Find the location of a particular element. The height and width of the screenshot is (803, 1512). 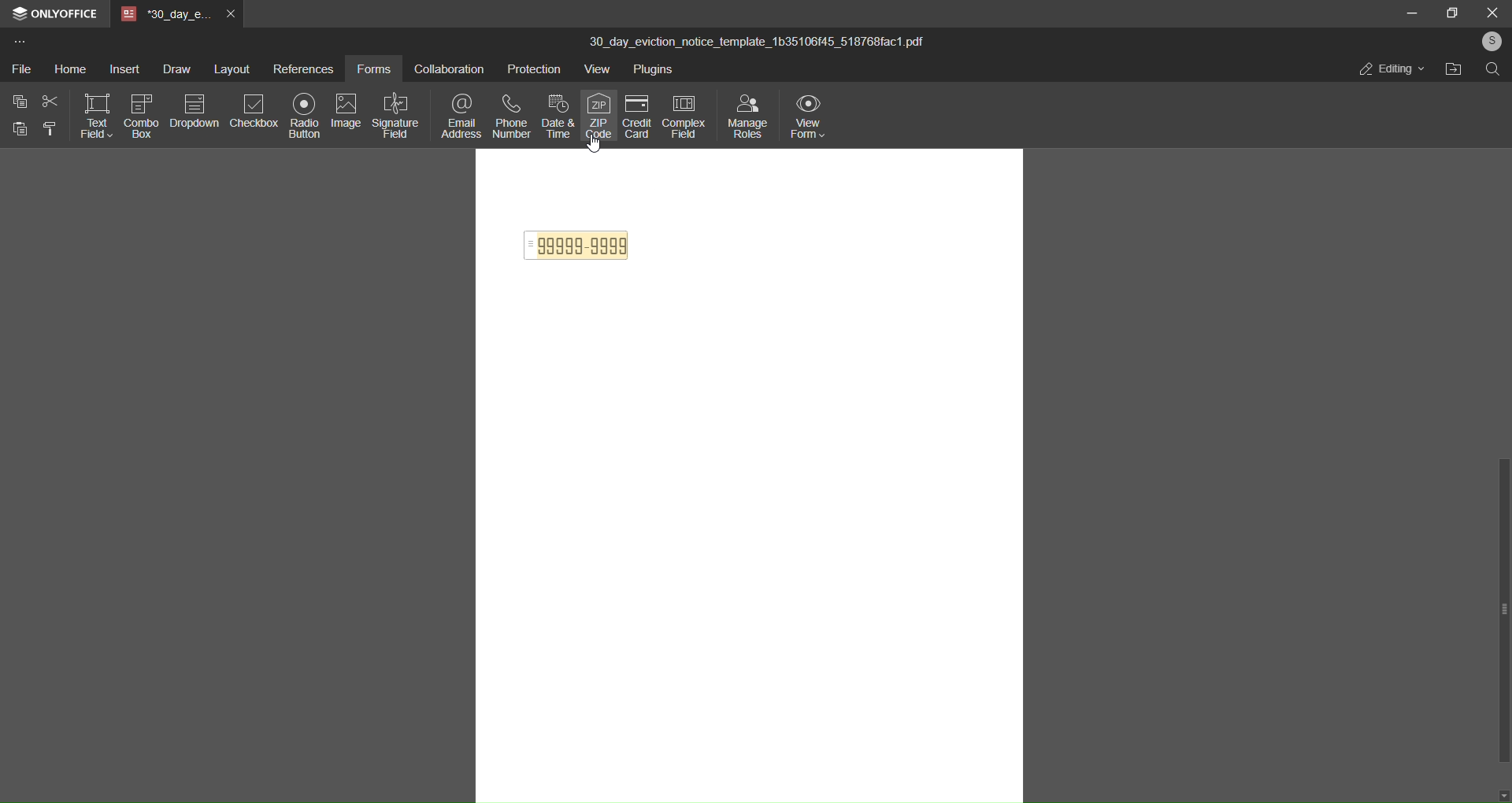

cursor is located at coordinates (591, 142).